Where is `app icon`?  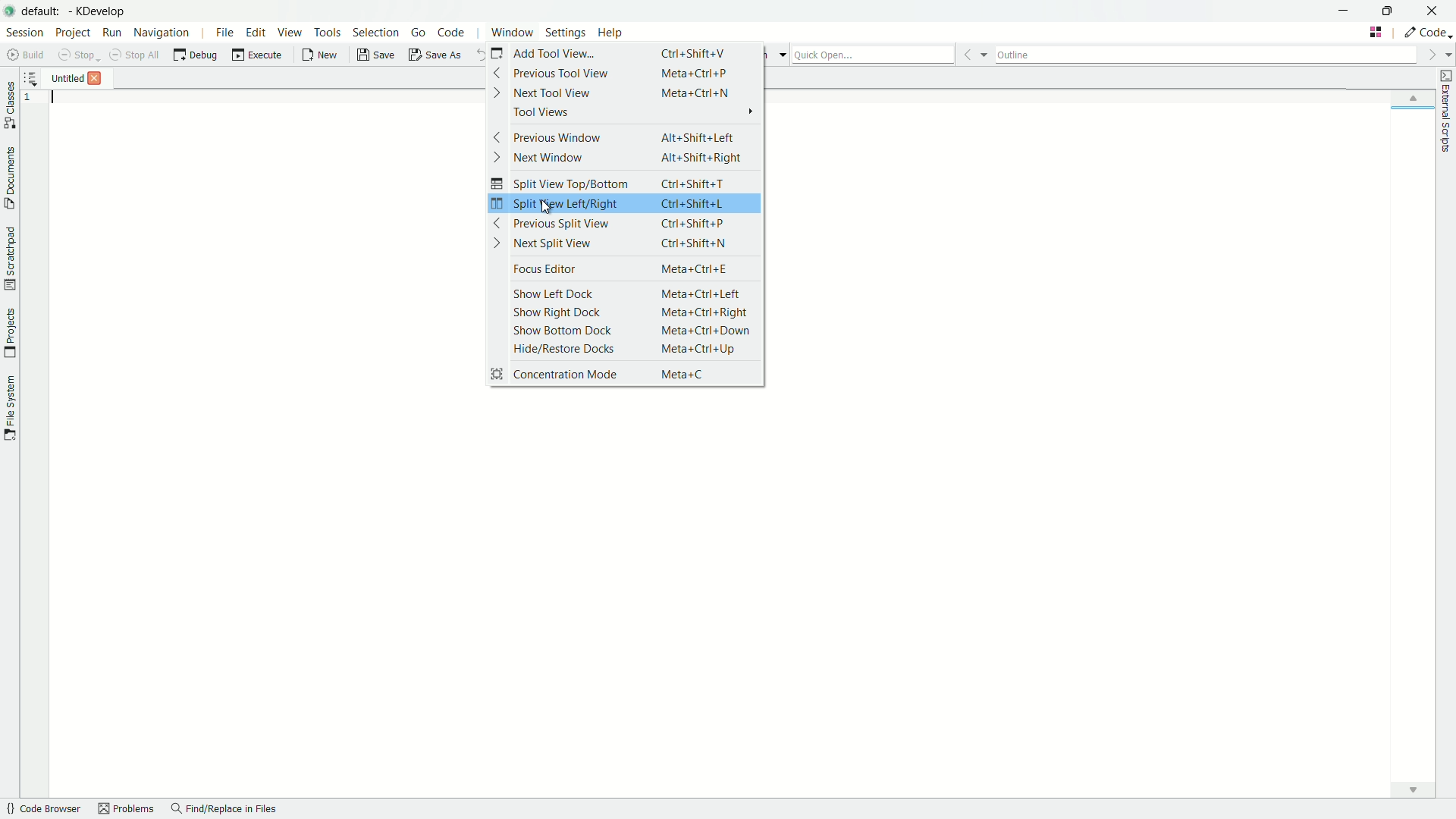
app icon is located at coordinates (9, 11).